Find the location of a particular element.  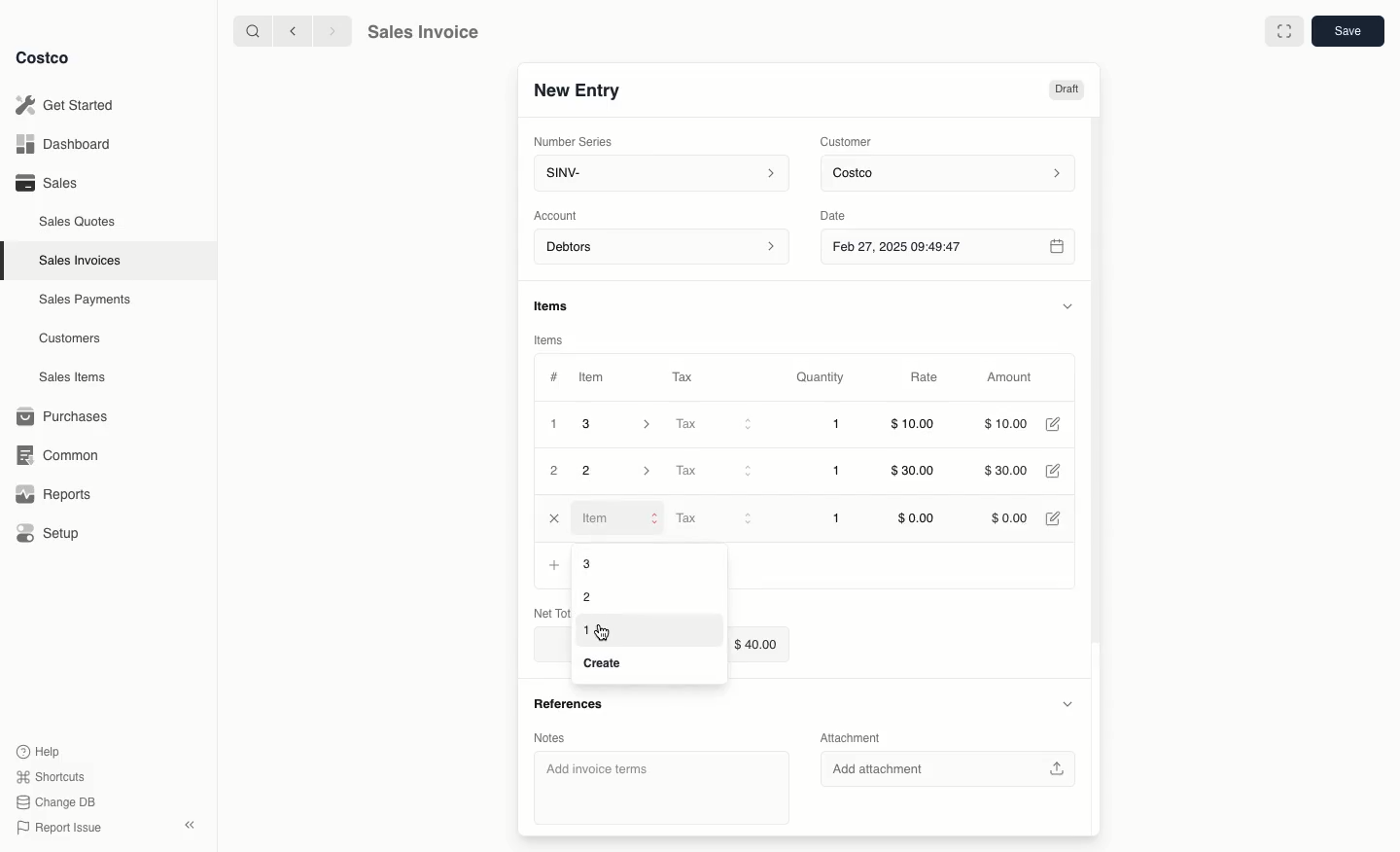

3 is located at coordinates (605, 564).